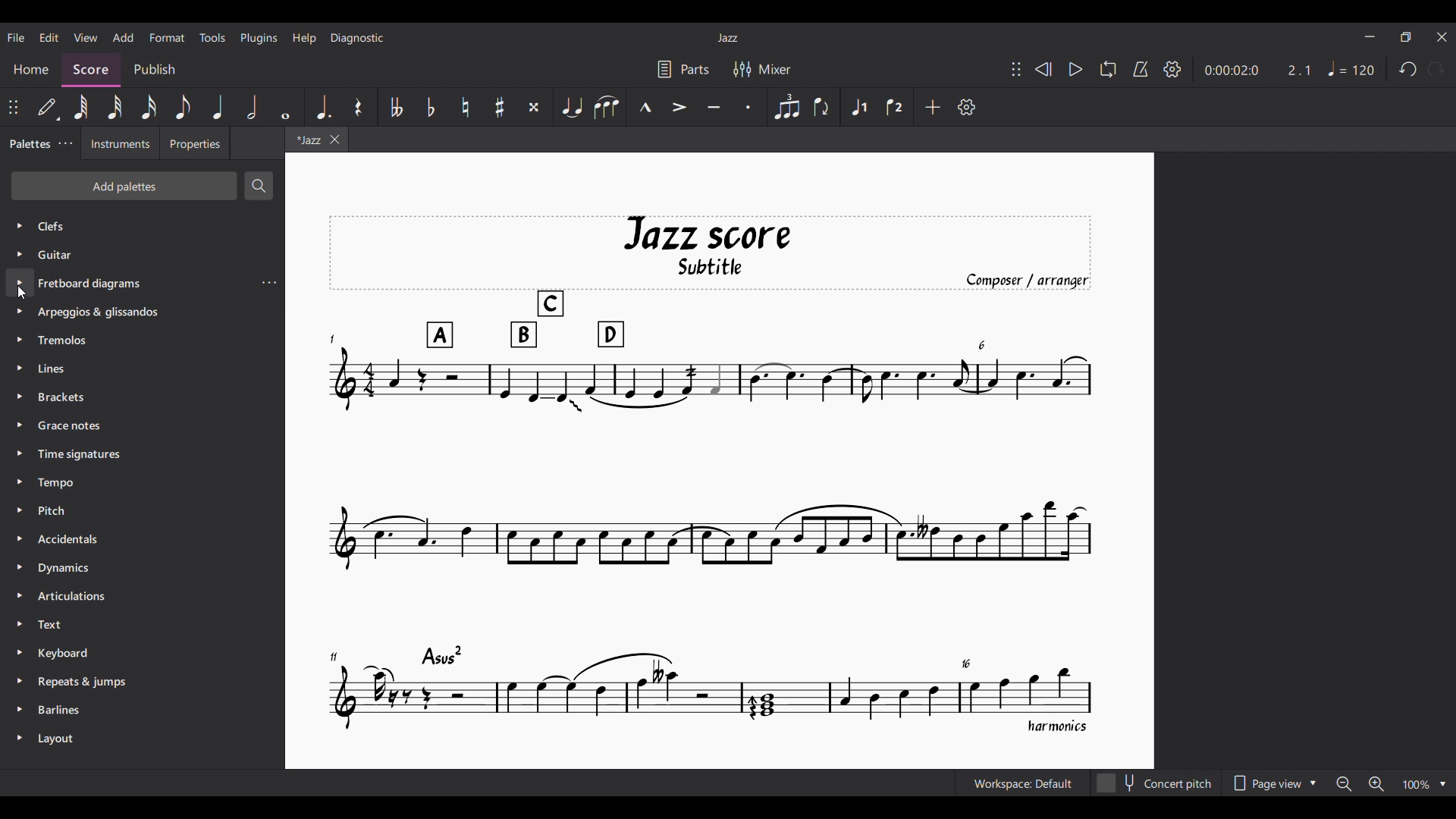 The width and height of the screenshot is (1456, 819). What do you see at coordinates (195, 143) in the screenshot?
I see `Properties` at bounding box center [195, 143].